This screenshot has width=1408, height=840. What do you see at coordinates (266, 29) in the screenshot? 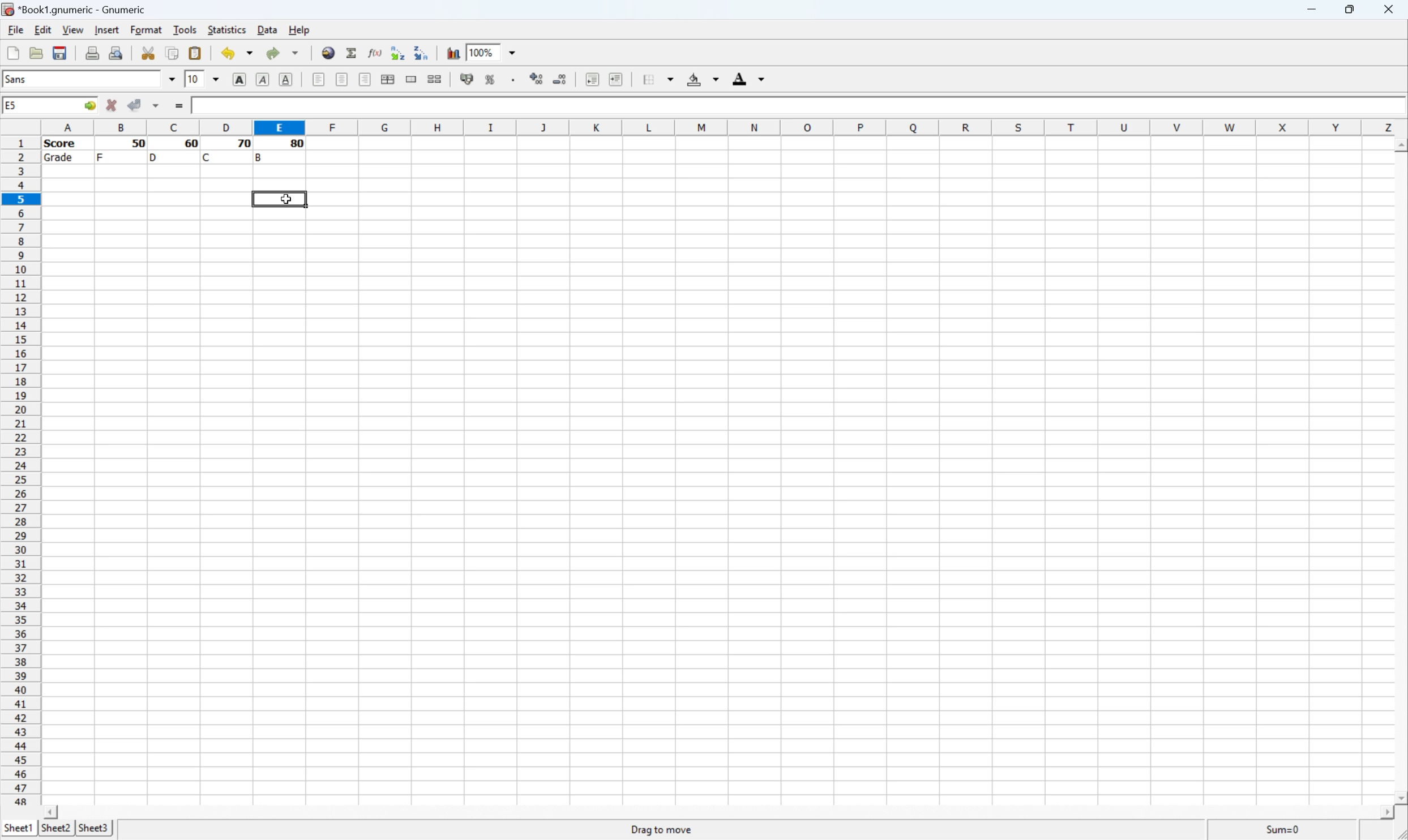
I see `Data` at bounding box center [266, 29].